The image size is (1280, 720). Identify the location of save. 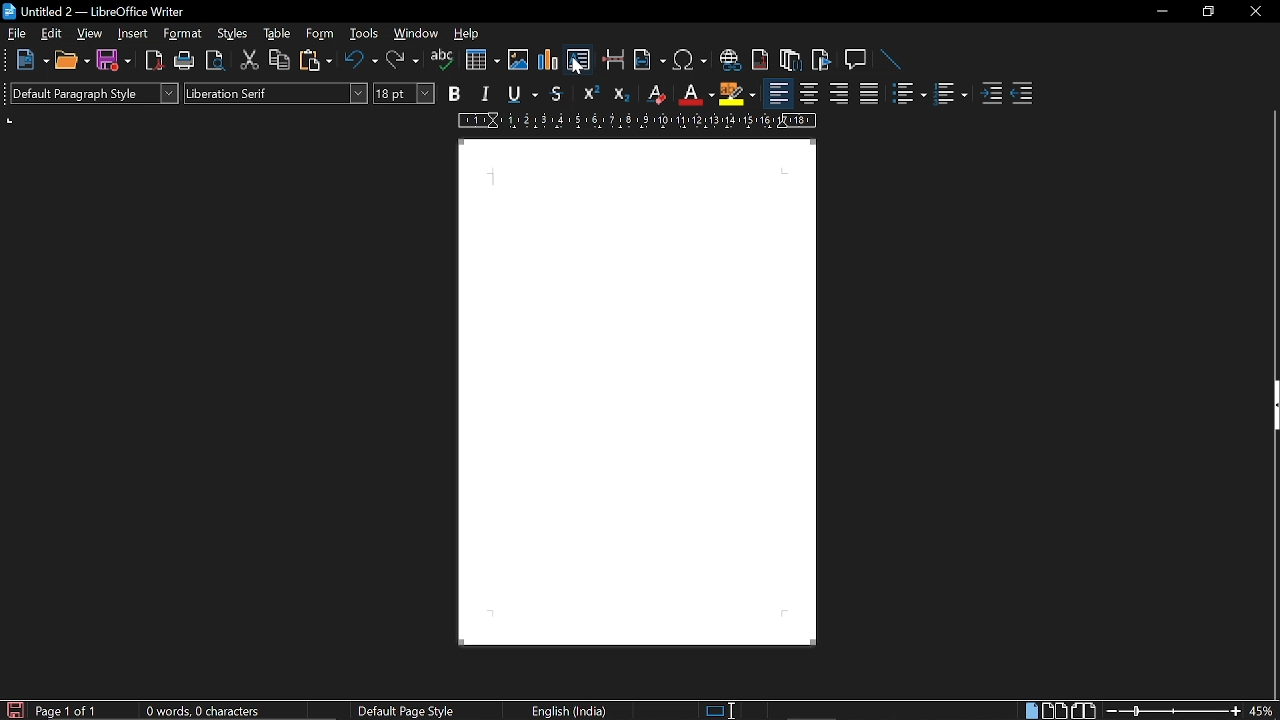
(112, 60).